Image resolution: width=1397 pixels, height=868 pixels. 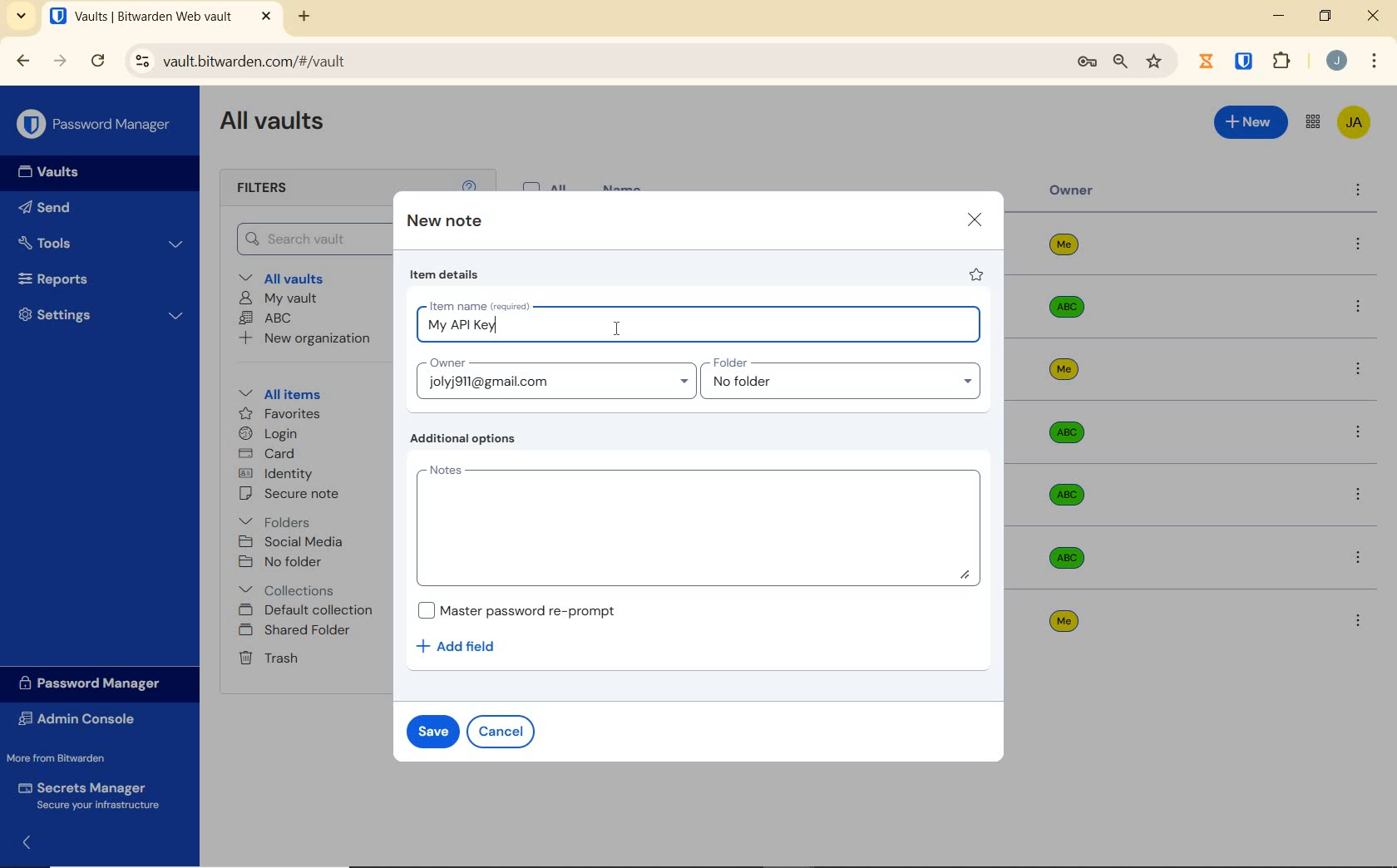 What do you see at coordinates (1360, 556) in the screenshot?
I see `more options` at bounding box center [1360, 556].